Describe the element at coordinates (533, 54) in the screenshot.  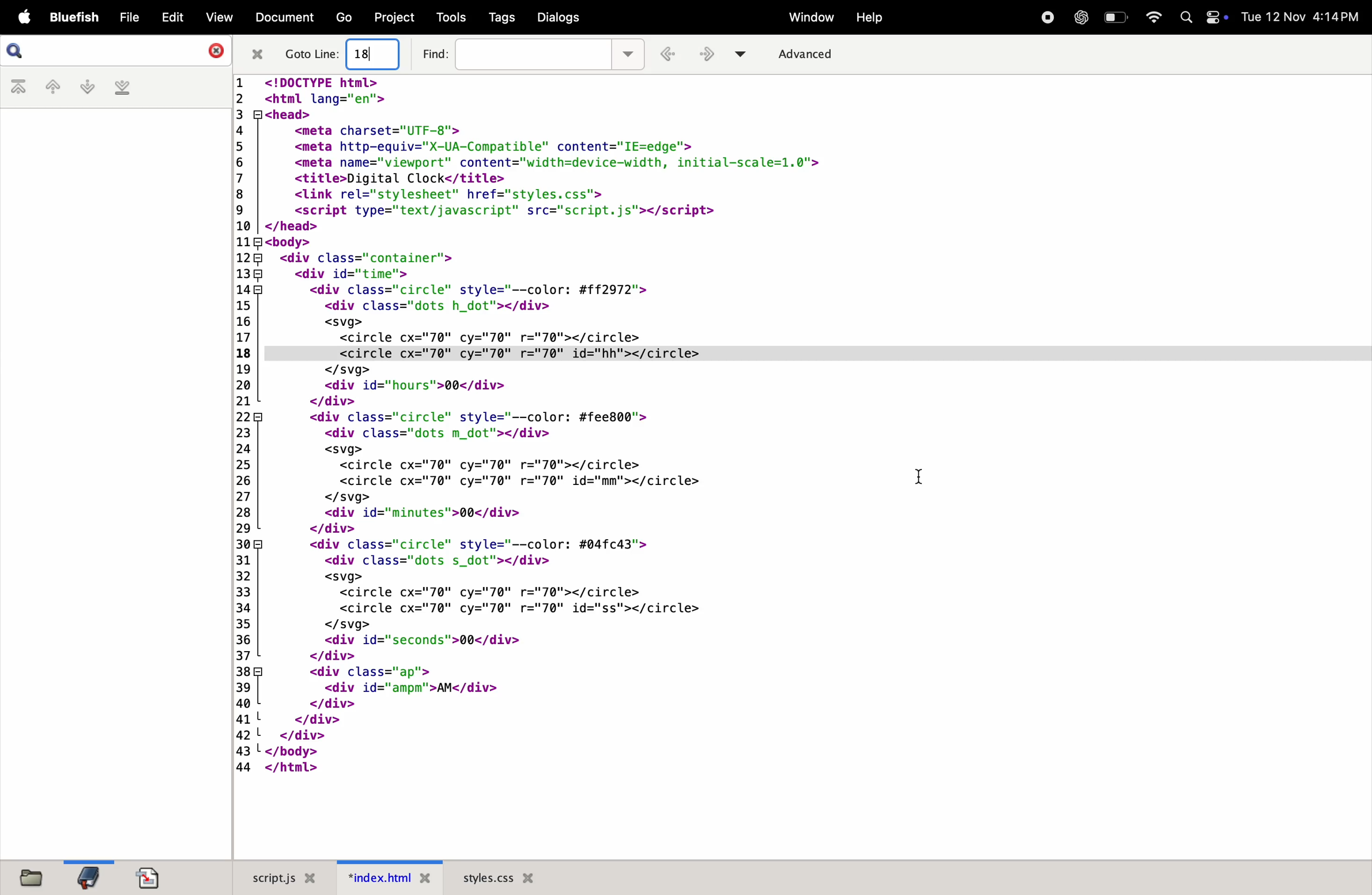
I see `textbox` at that location.